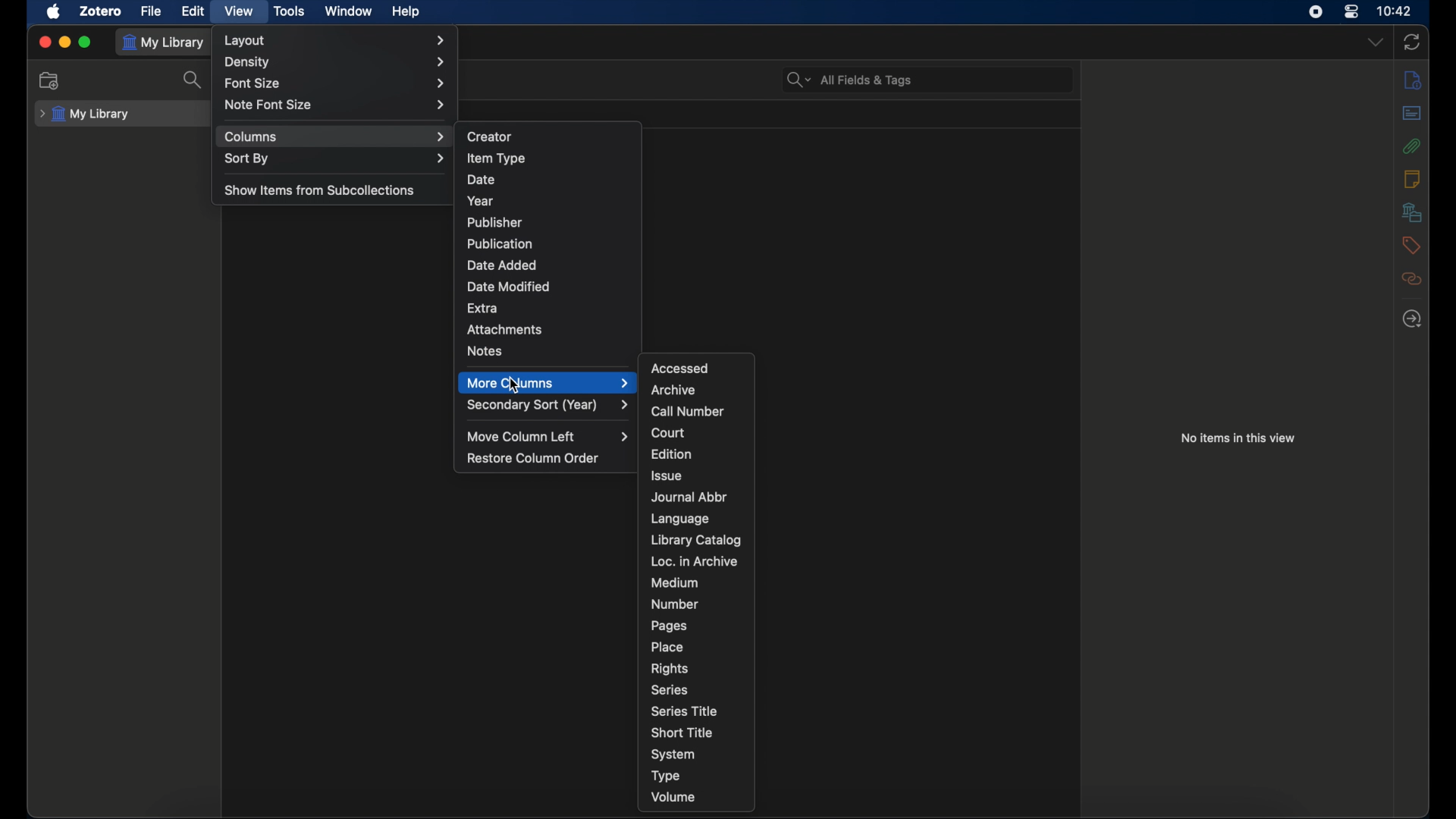 Image resolution: width=1456 pixels, height=819 pixels. What do you see at coordinates (681, 519) in the screenshot?
I see `language` at bounding box center [681, 519].